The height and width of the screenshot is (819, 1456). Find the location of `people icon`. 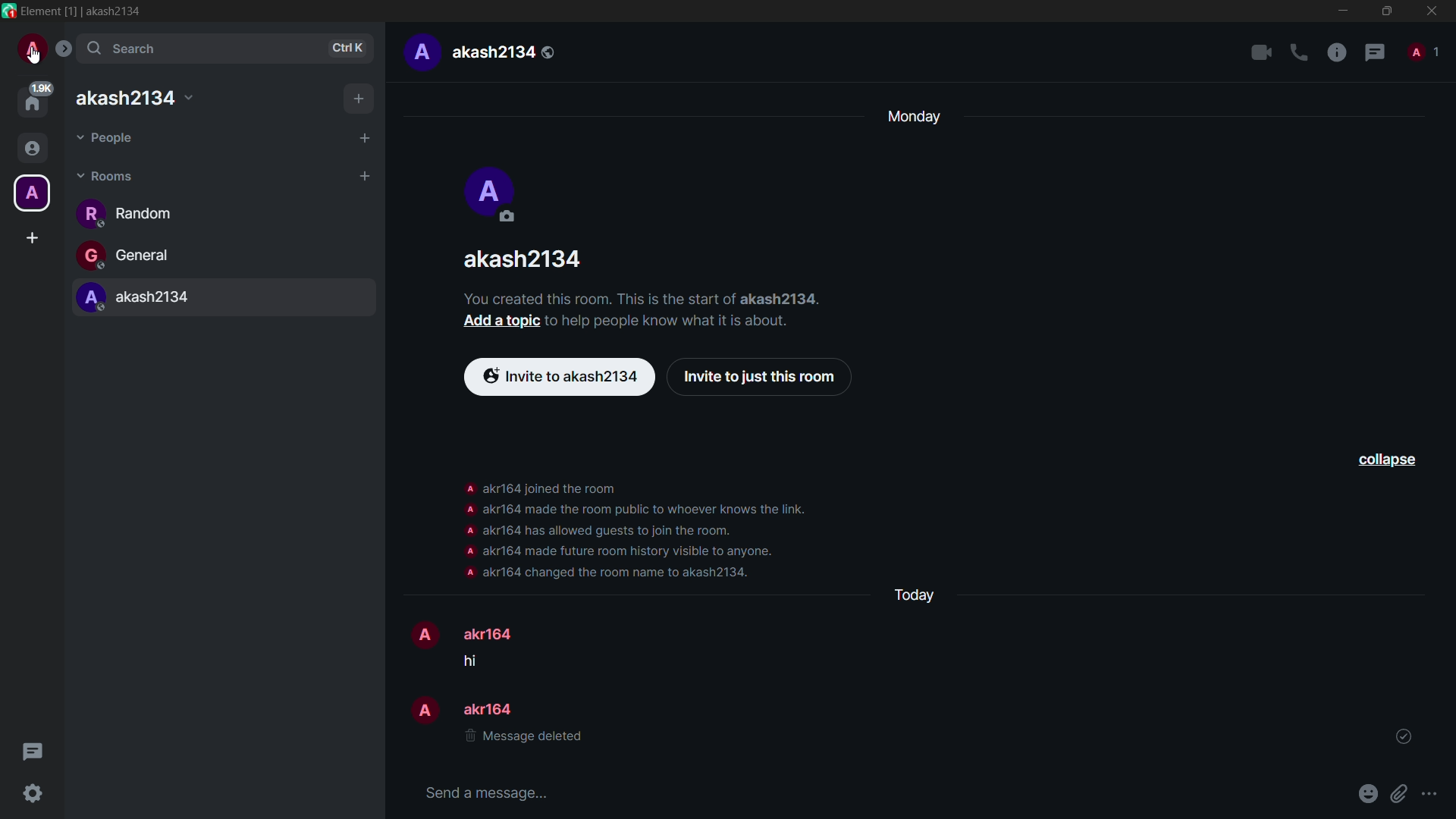

people icon is located at coordinates (30, 149).